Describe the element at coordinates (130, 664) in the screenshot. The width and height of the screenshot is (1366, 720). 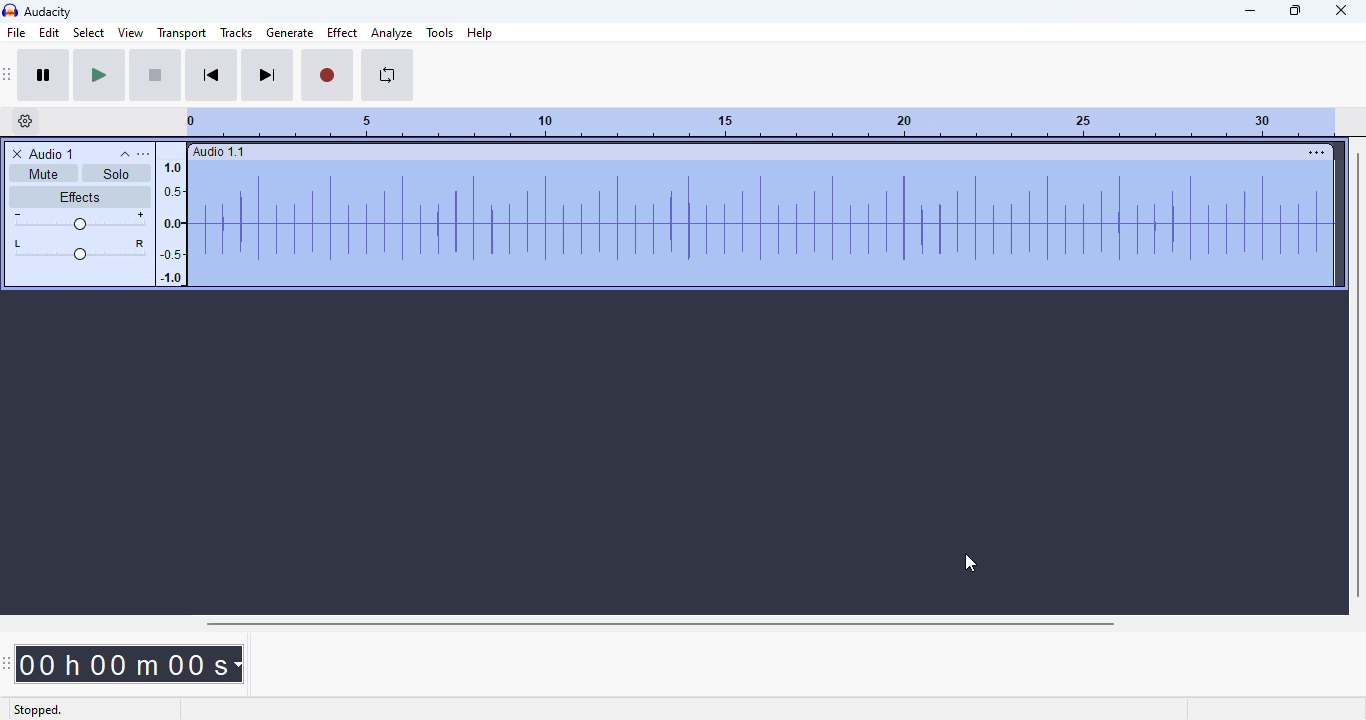
I see `time` at that location.